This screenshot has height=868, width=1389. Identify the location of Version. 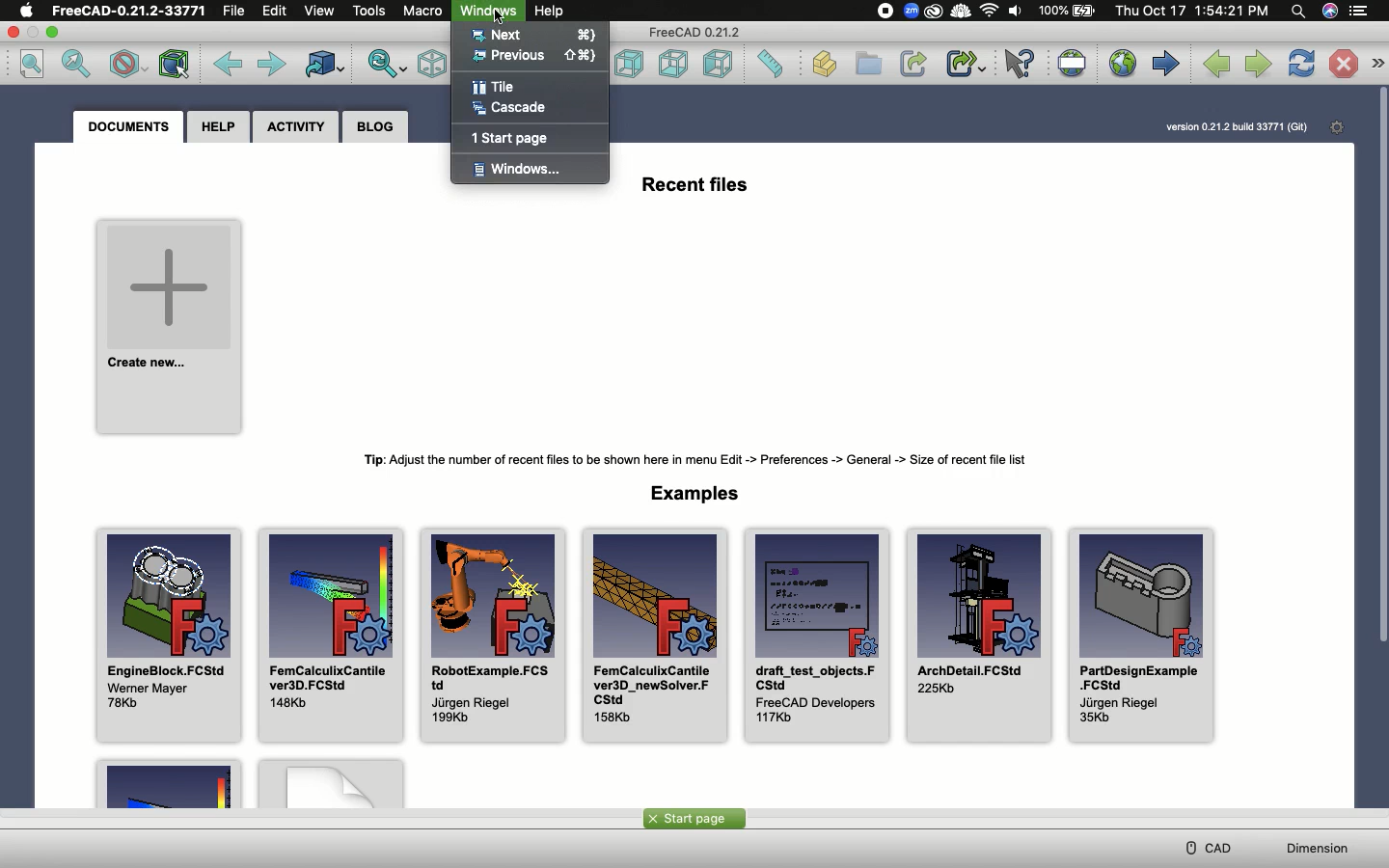
(1239, 127).